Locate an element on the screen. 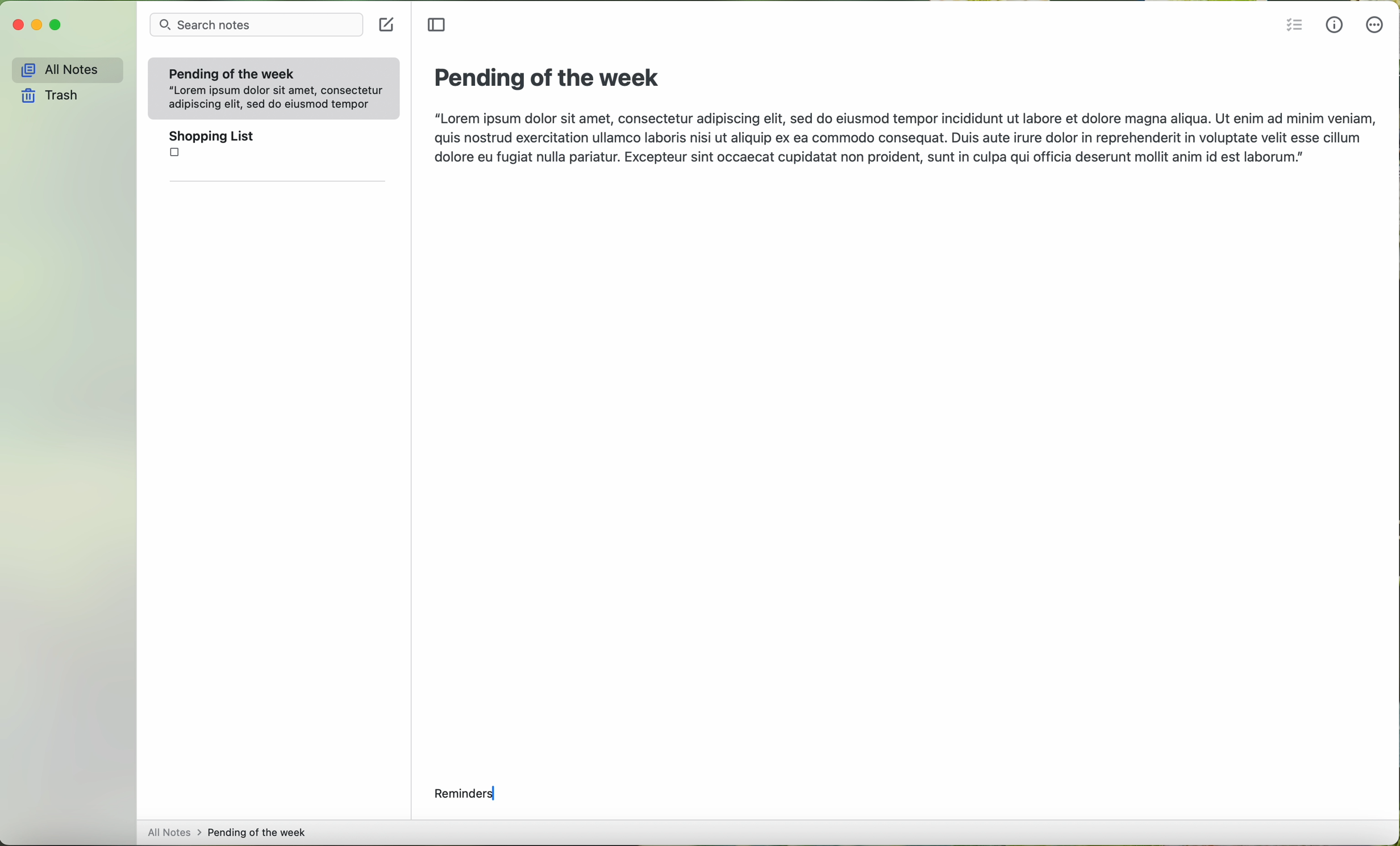  metrics is located at coordinates (1336, 26).